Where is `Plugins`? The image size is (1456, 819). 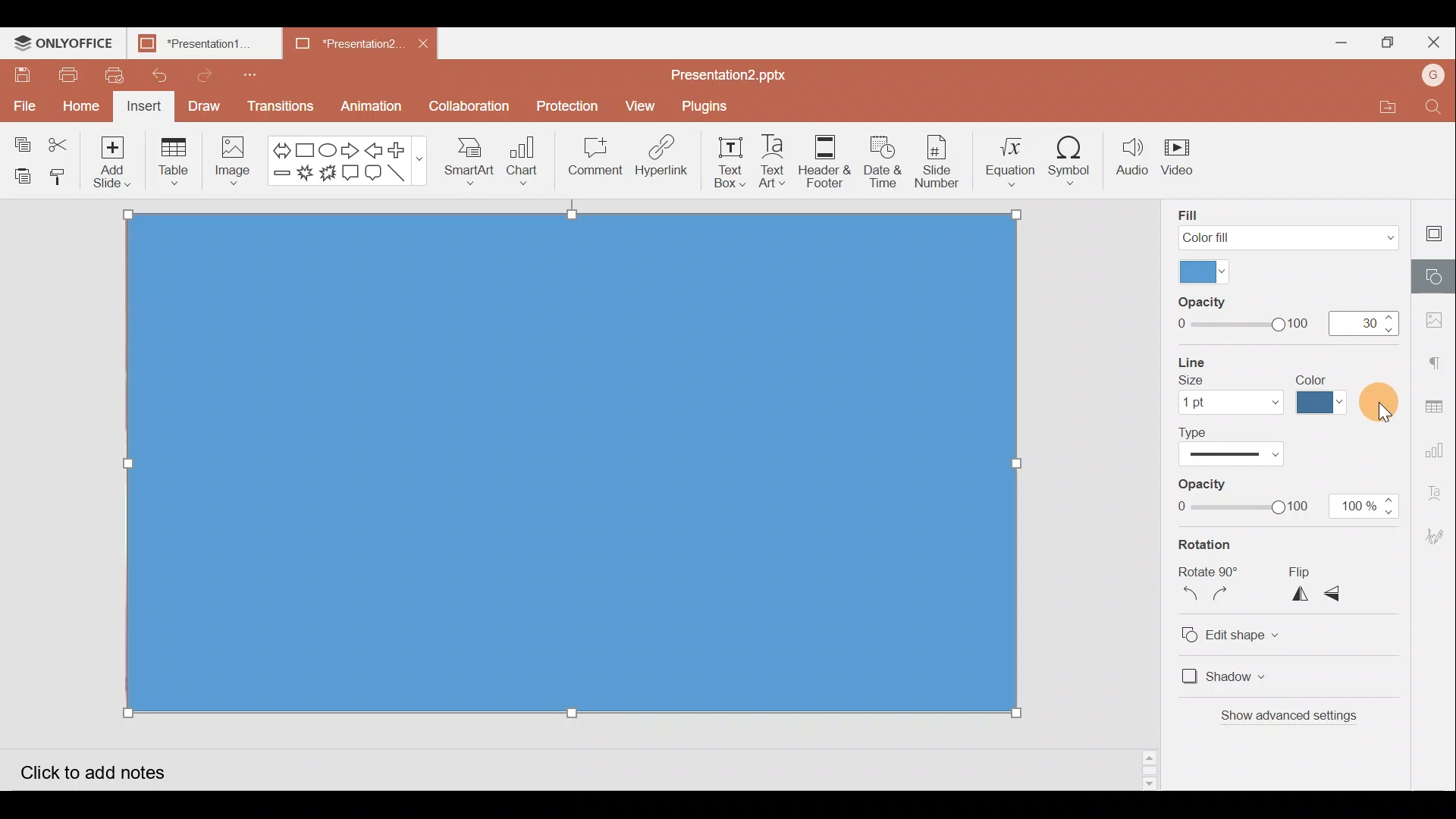 Plugins is located at coordinates (710, 106).